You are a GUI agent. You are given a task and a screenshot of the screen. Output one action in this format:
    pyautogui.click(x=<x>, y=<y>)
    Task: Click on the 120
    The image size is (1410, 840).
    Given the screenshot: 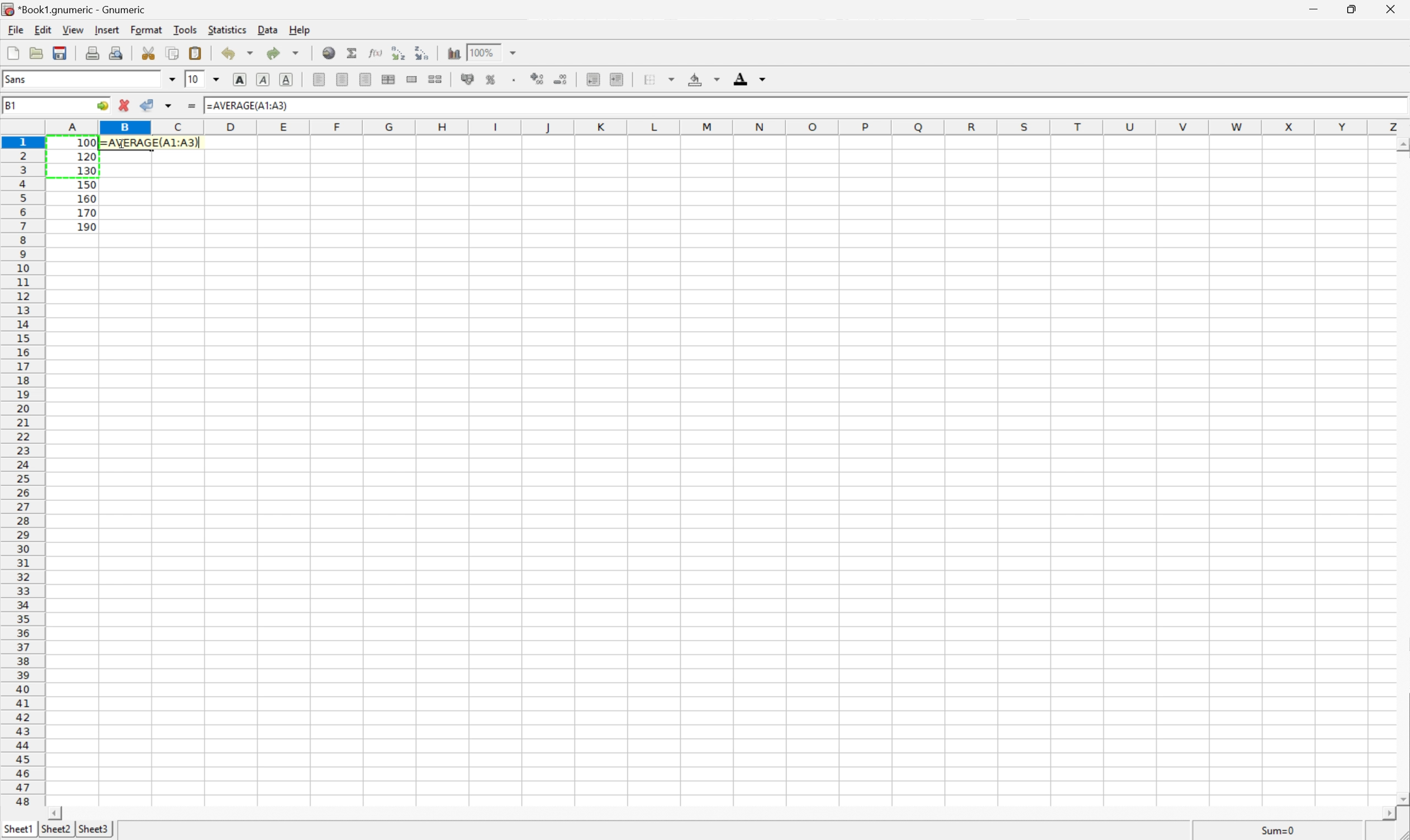 What is the action you would take?
    pyautogui.click(x=87, y=156)
    